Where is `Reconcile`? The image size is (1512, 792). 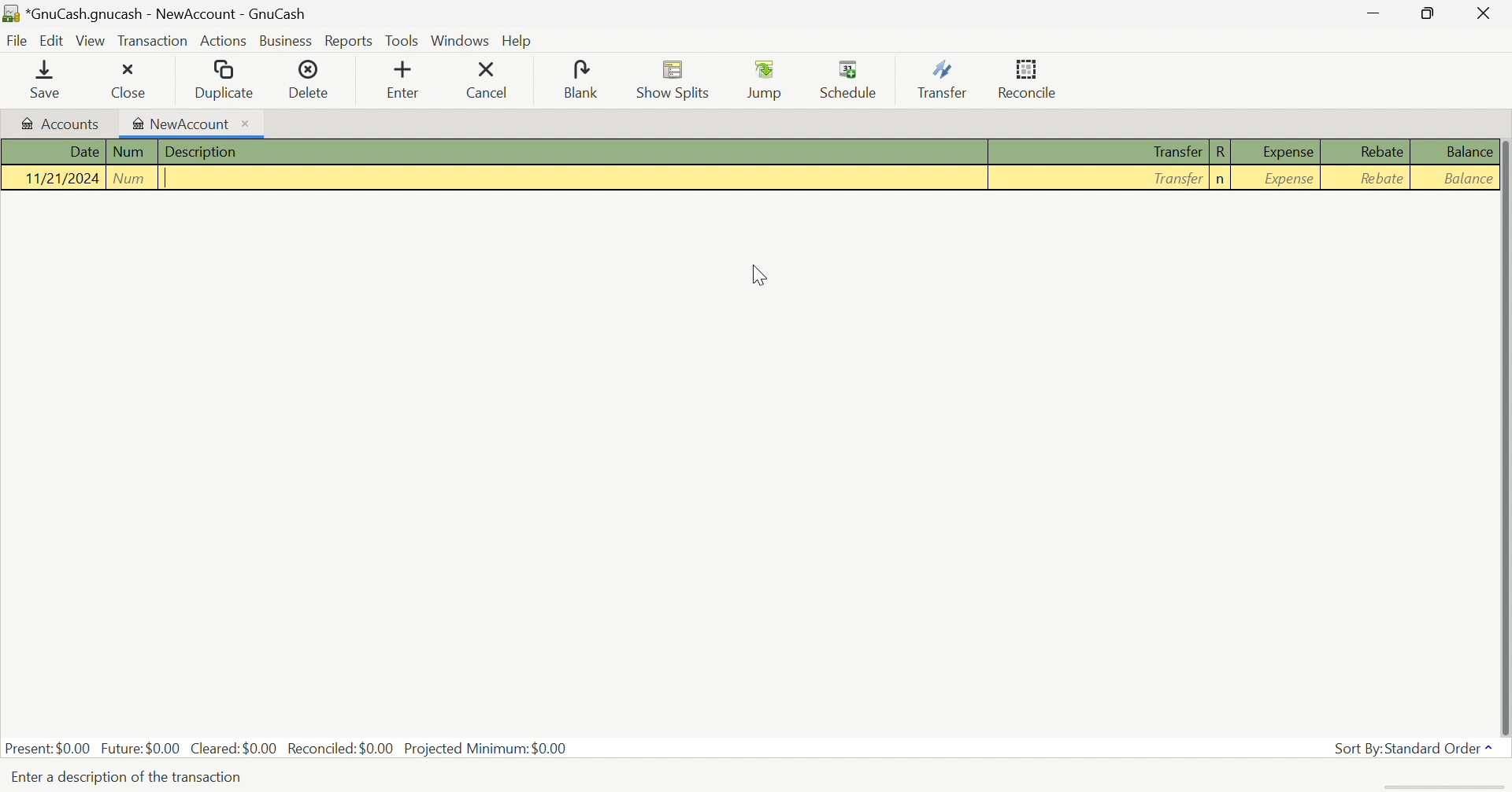 Reconcile is located at coordinates (1031, 78).